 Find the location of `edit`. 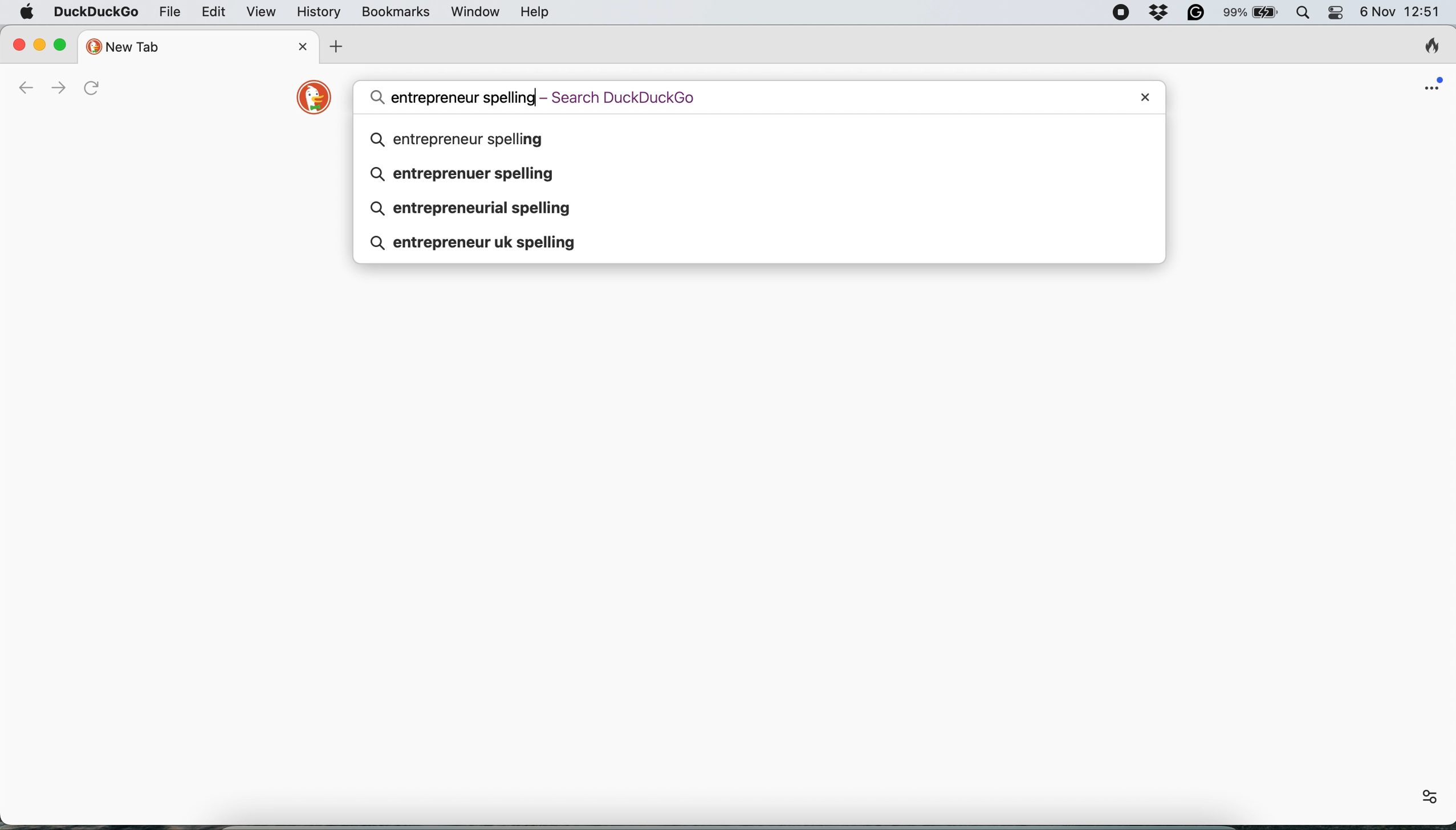

edit is located at coordinates (212, 15).